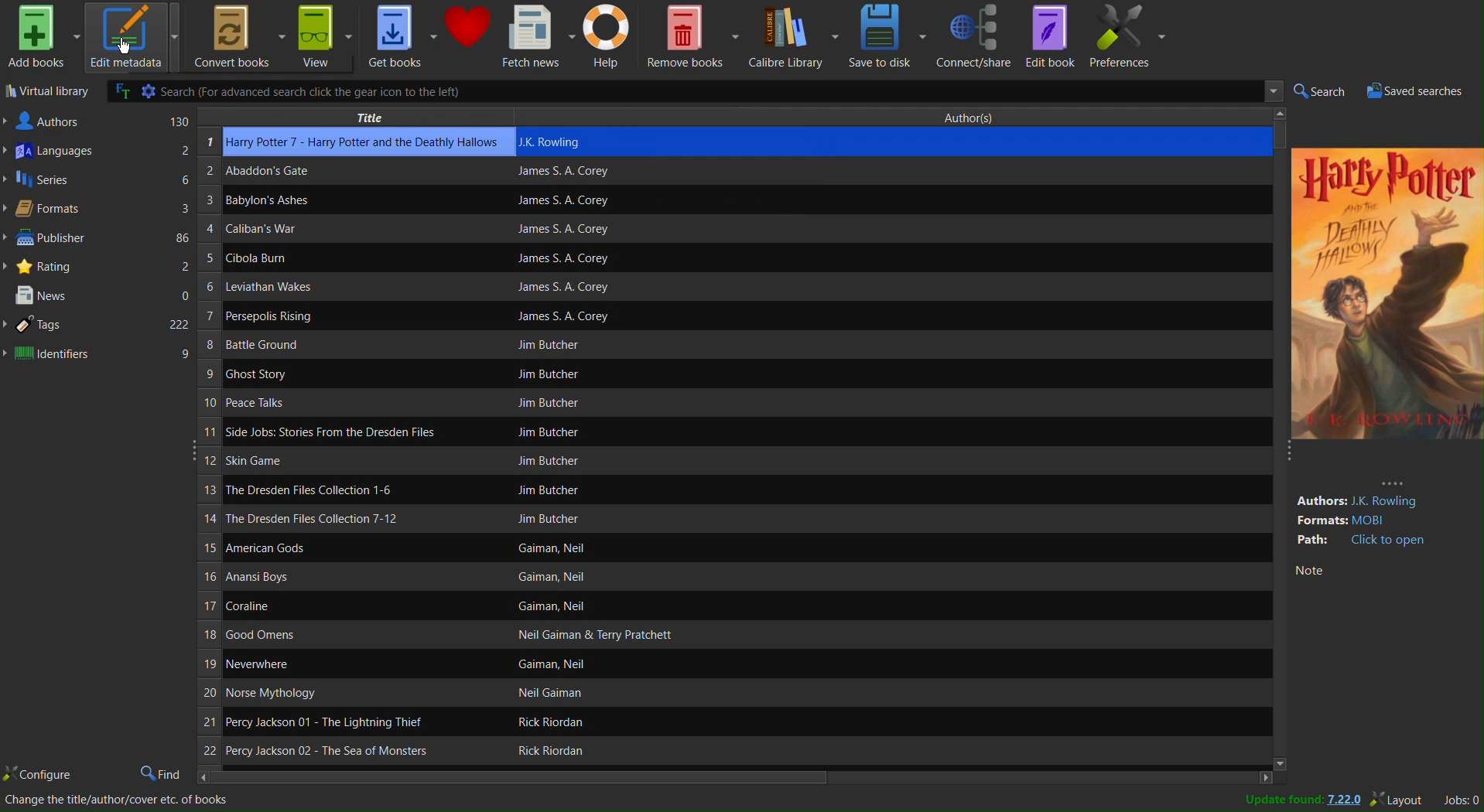 The width and height of the screenshot is (1484, 812). What do you see at coordinates (687, 462) in the screenshot?
I see `Author’s name` at bounding box center [687, 462].